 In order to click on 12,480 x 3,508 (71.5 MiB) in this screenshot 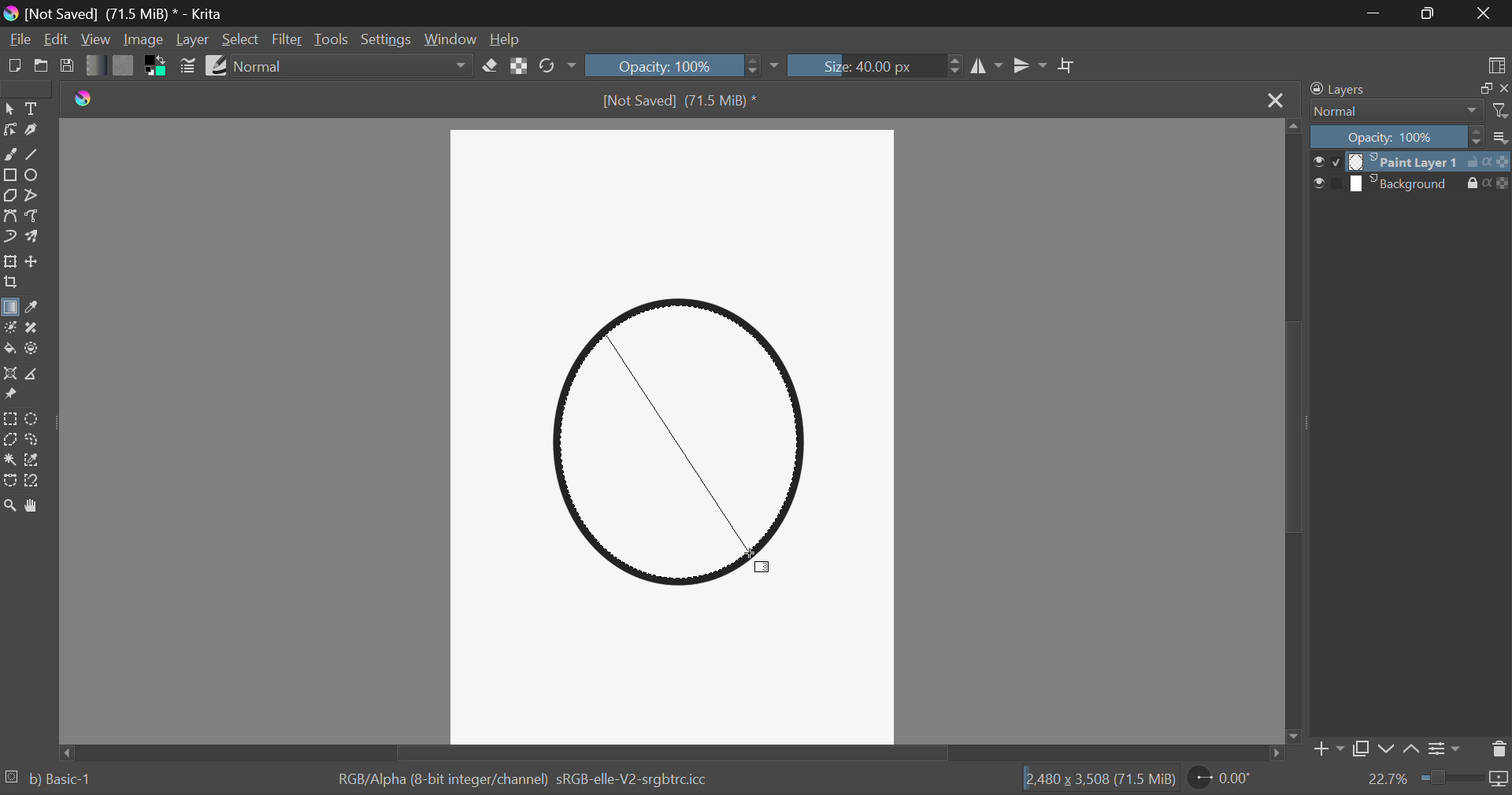, I will do `click(1099, 779)`.